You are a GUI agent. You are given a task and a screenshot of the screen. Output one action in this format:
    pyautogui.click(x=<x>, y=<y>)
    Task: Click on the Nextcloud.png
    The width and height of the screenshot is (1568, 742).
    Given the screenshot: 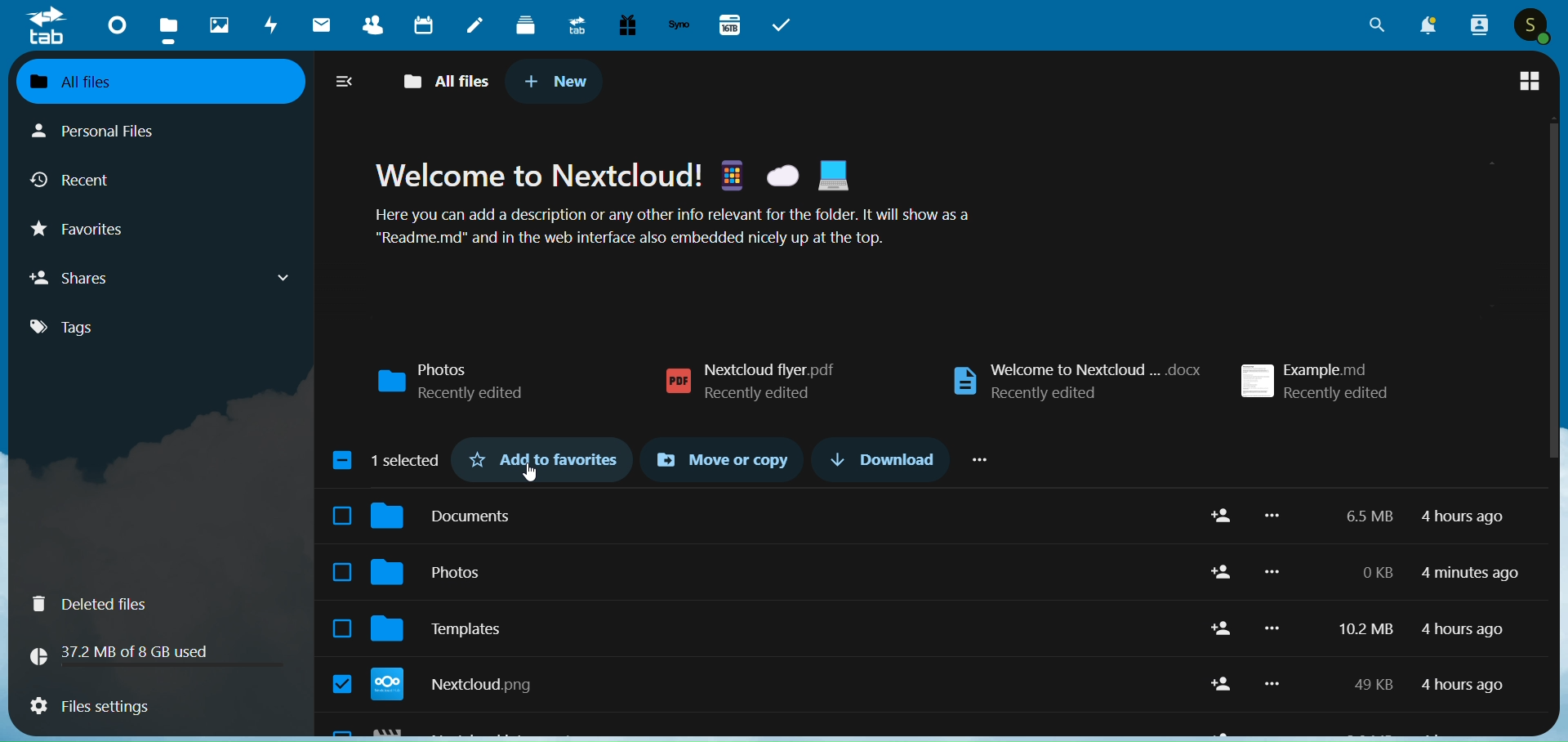 What is the action you would take?
    pyautogui.click(x=782, y=684)
    